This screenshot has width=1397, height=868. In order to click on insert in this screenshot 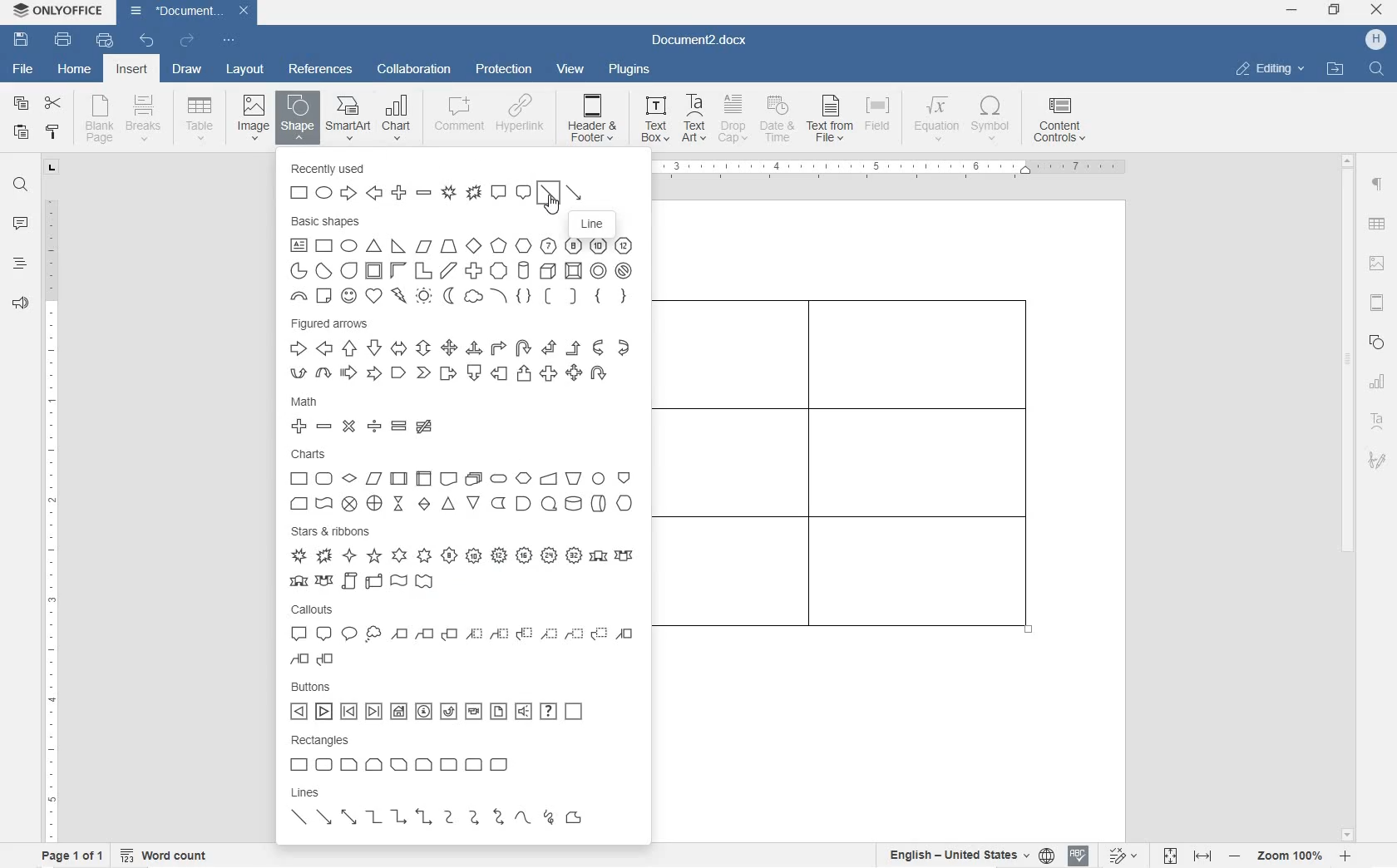, I will do `click(131, 70)`.